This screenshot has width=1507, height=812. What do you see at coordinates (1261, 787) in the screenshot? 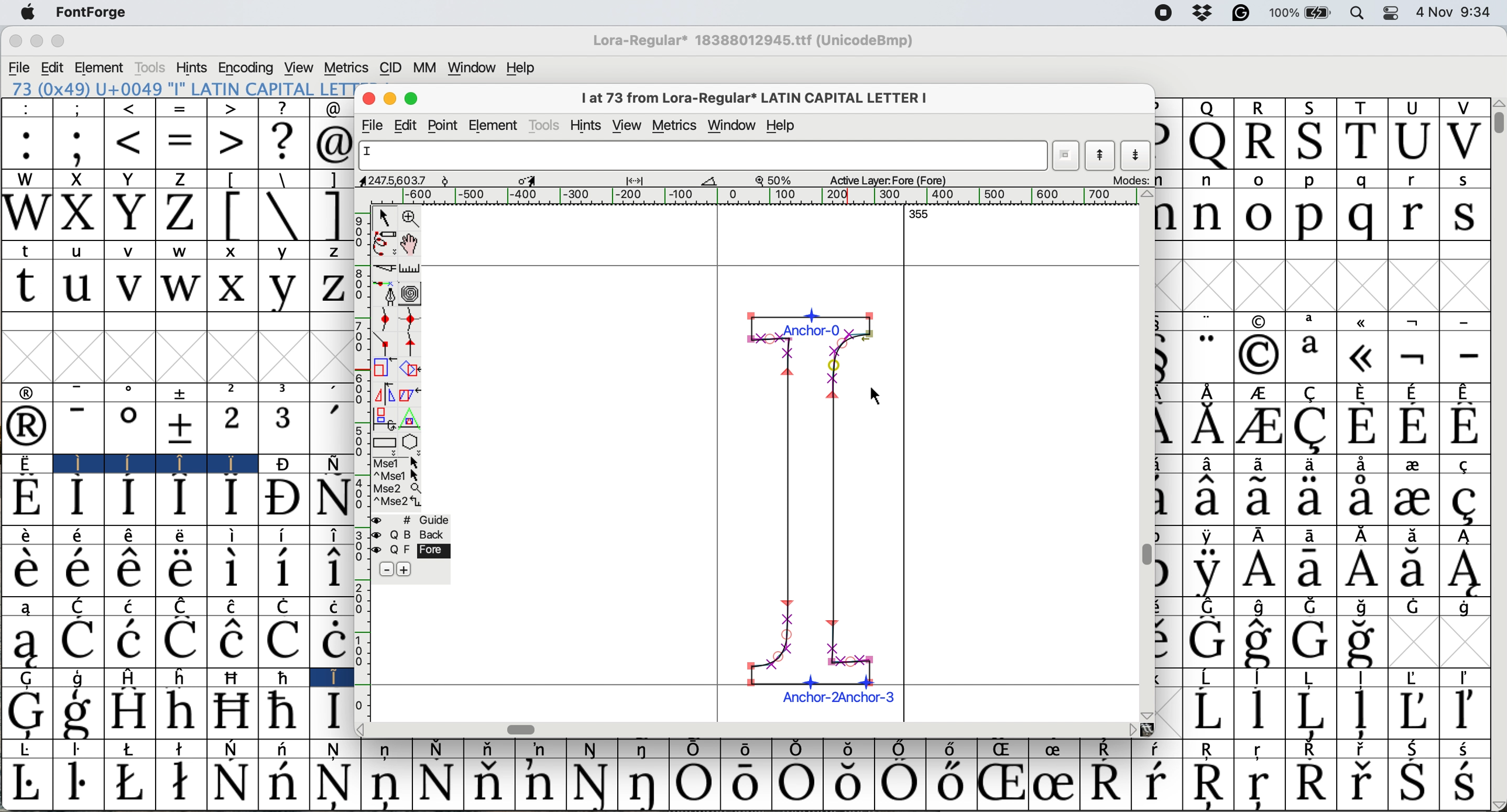
I see `Symbol` at bounding box center [1261, 787].